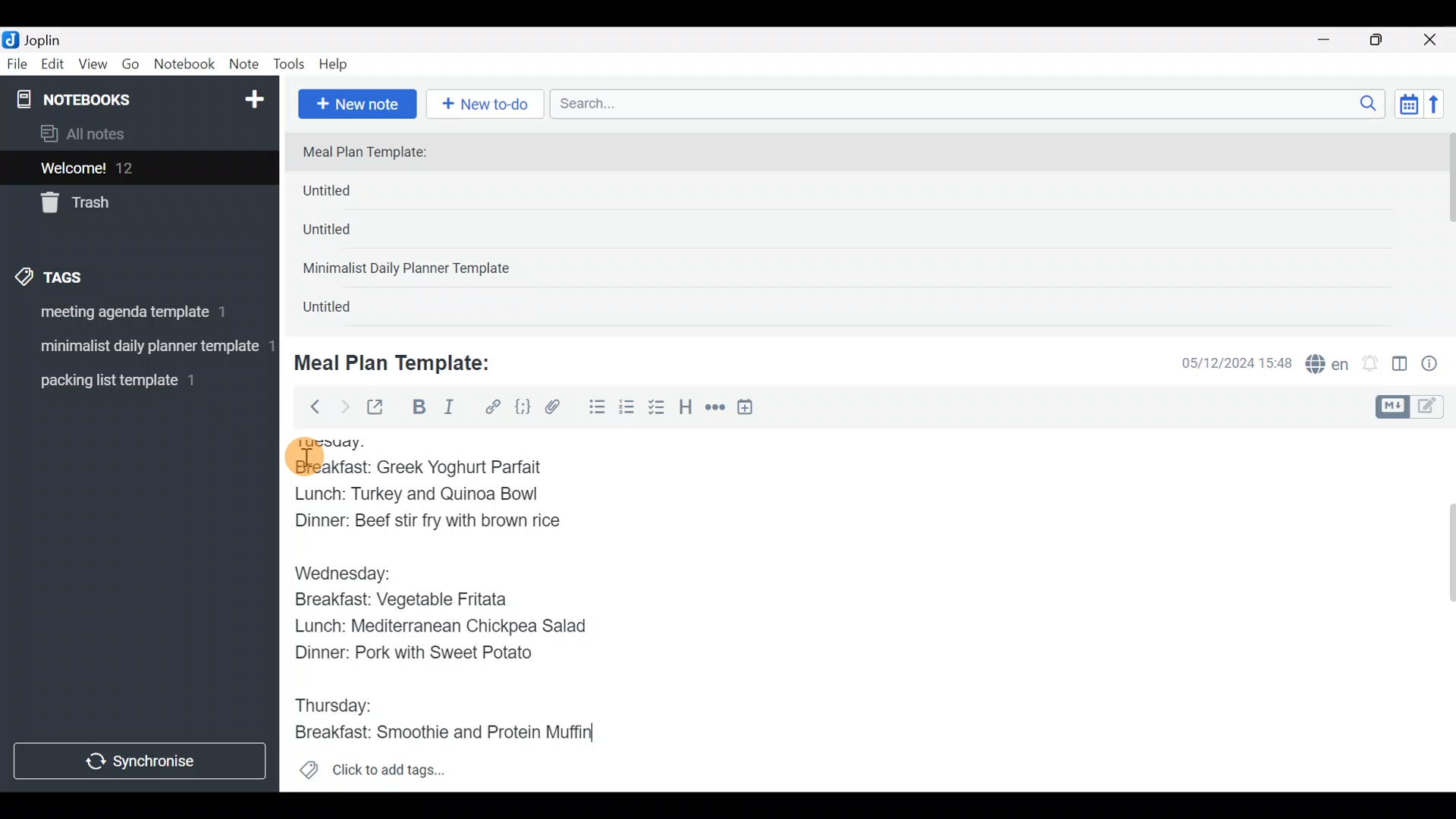 This screenshot has width=1456, height=819. Describe the element at coordinates (447, 628) in the screenshot. I see `Lunch: Mediterranean Chickpea Salad` at that location.